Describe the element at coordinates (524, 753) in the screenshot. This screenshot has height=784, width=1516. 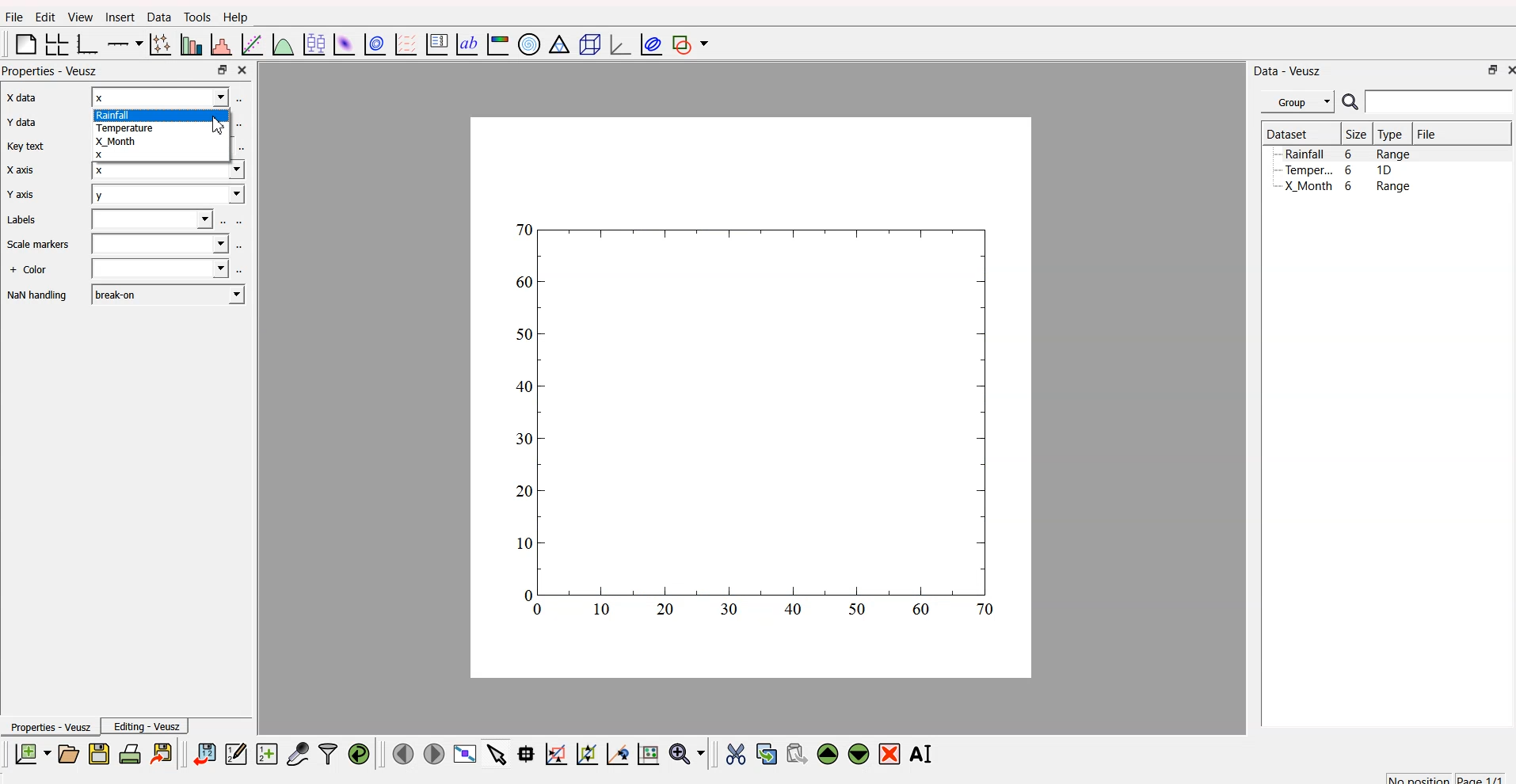
I see `read datapoint on graph` at that location.